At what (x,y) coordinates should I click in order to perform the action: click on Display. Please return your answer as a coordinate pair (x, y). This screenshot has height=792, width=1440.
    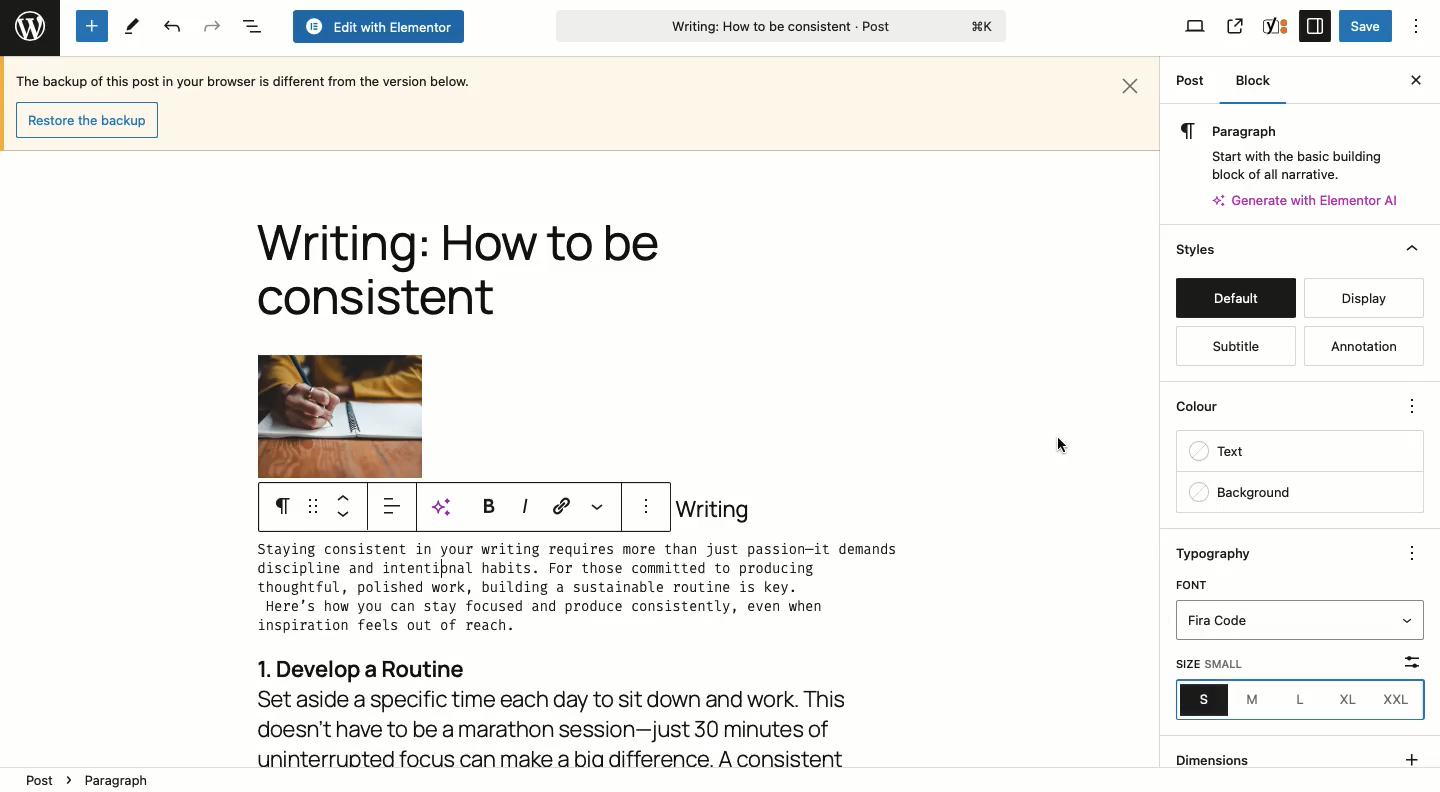
    Looking at the image, I should click on (1365, 298).